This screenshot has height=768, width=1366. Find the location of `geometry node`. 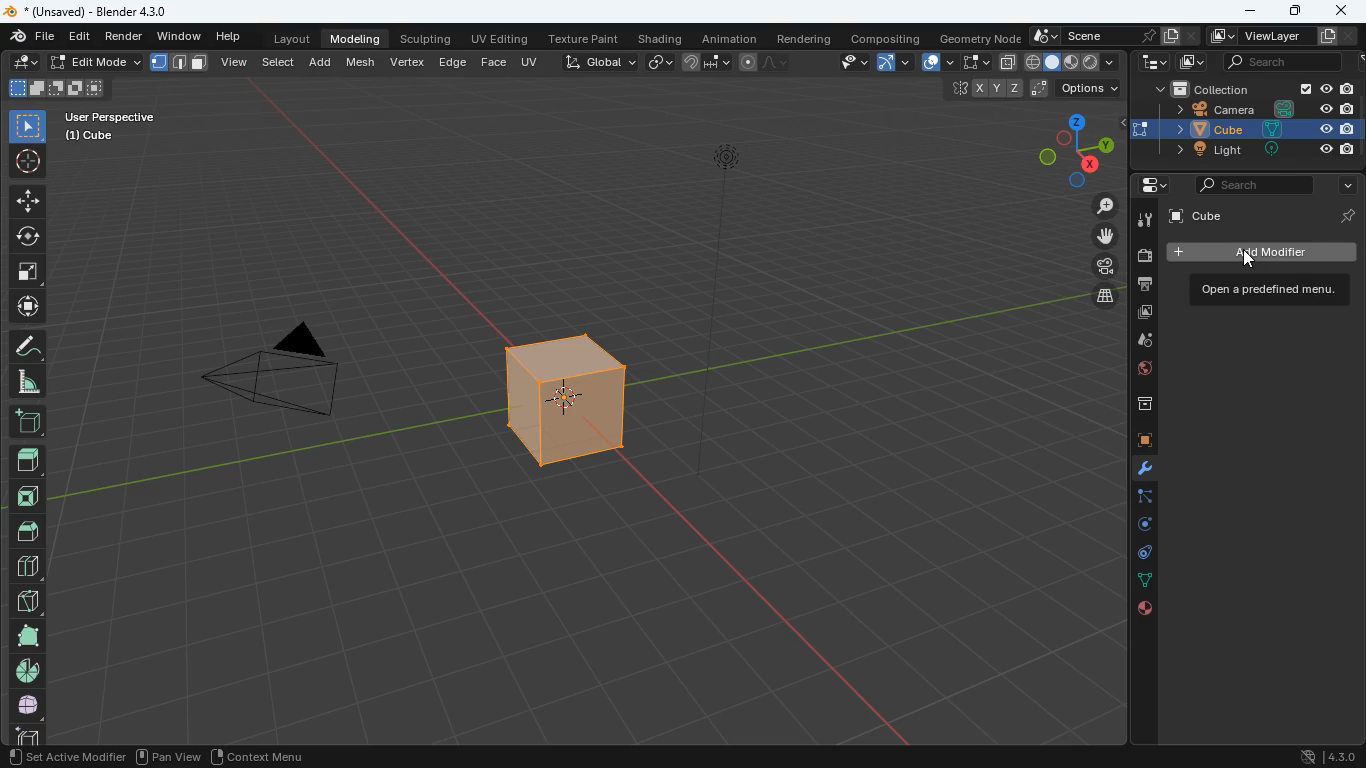

geometry node is located at coordinates (975, 37).